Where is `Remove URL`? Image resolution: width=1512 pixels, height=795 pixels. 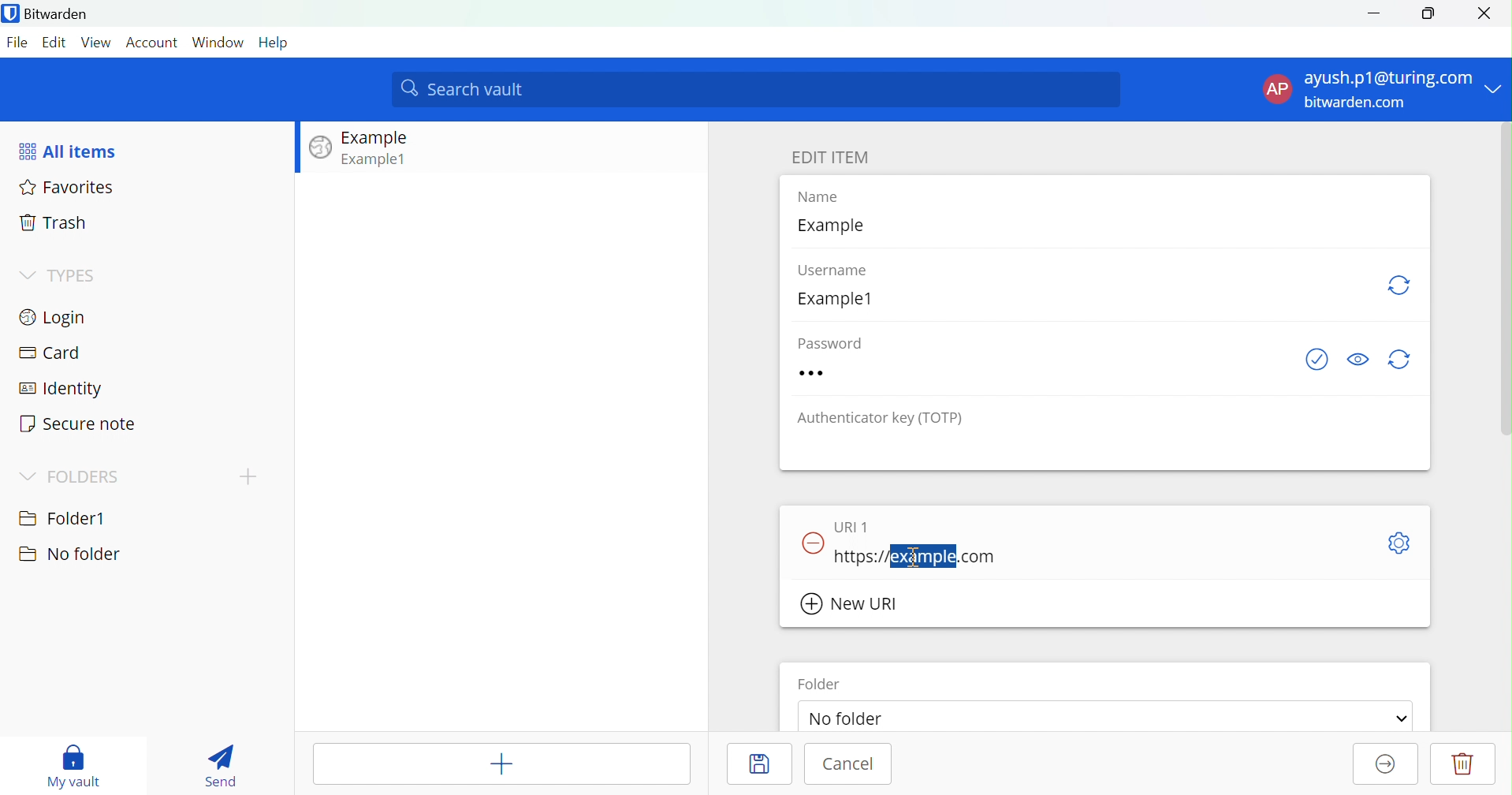
Remove URL is located at coordinates (814, 540).